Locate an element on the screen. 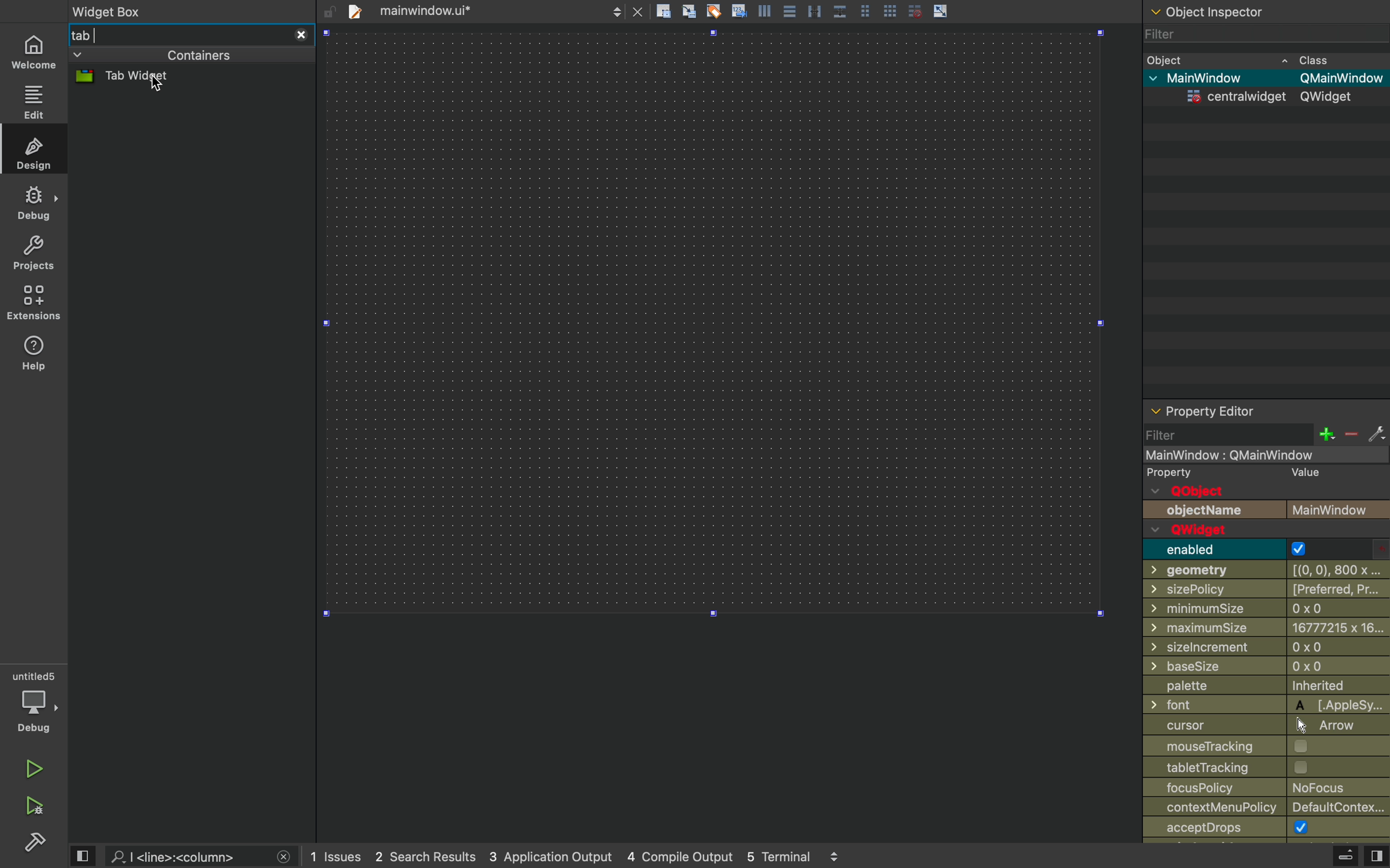  labeltracking is located at coordinates (1268, 769).